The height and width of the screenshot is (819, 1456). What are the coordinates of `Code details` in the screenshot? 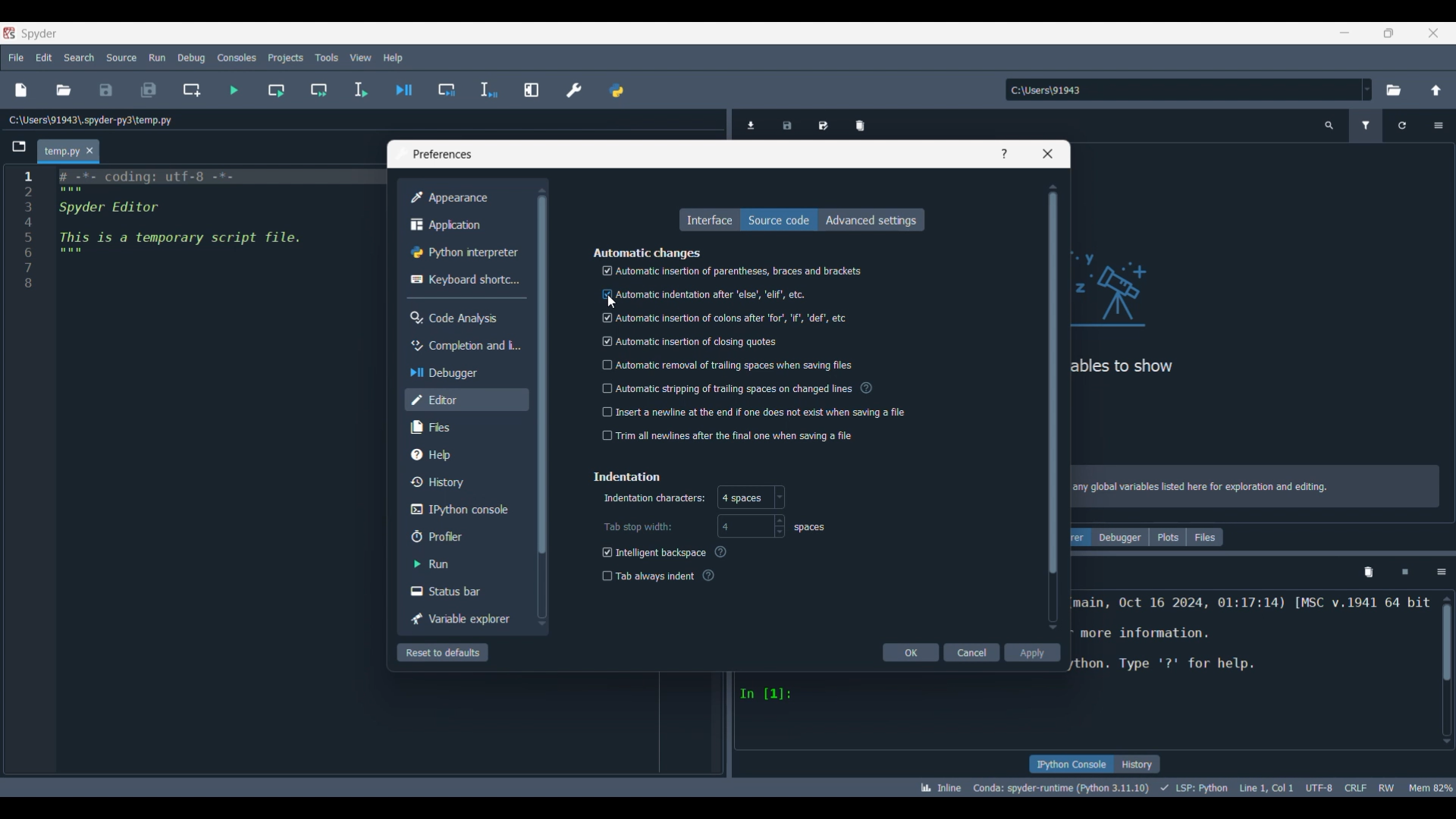 It's located at (1253, 648).